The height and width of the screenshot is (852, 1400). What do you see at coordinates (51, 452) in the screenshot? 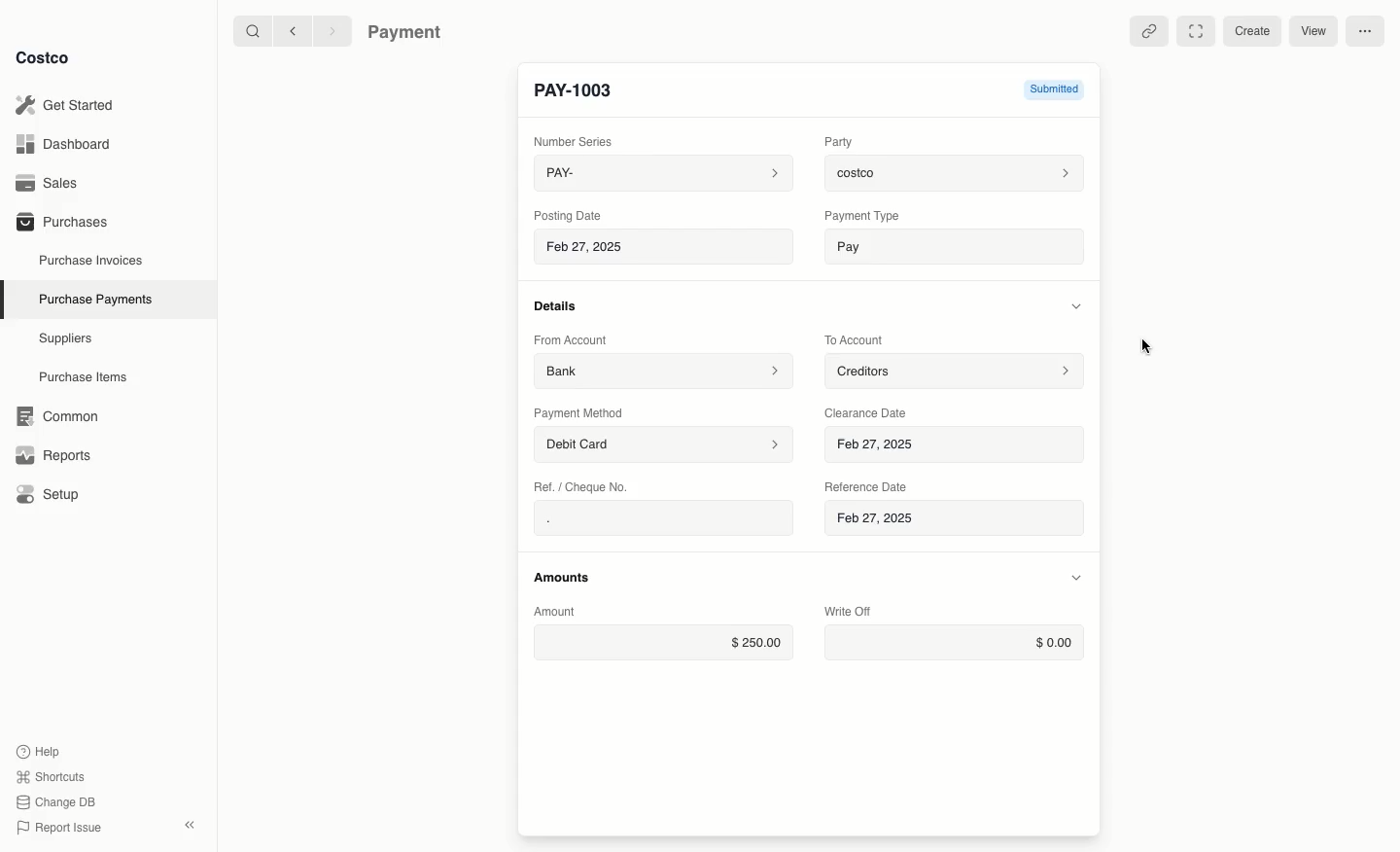
I see `Reports` at bounding box center [51, 452].